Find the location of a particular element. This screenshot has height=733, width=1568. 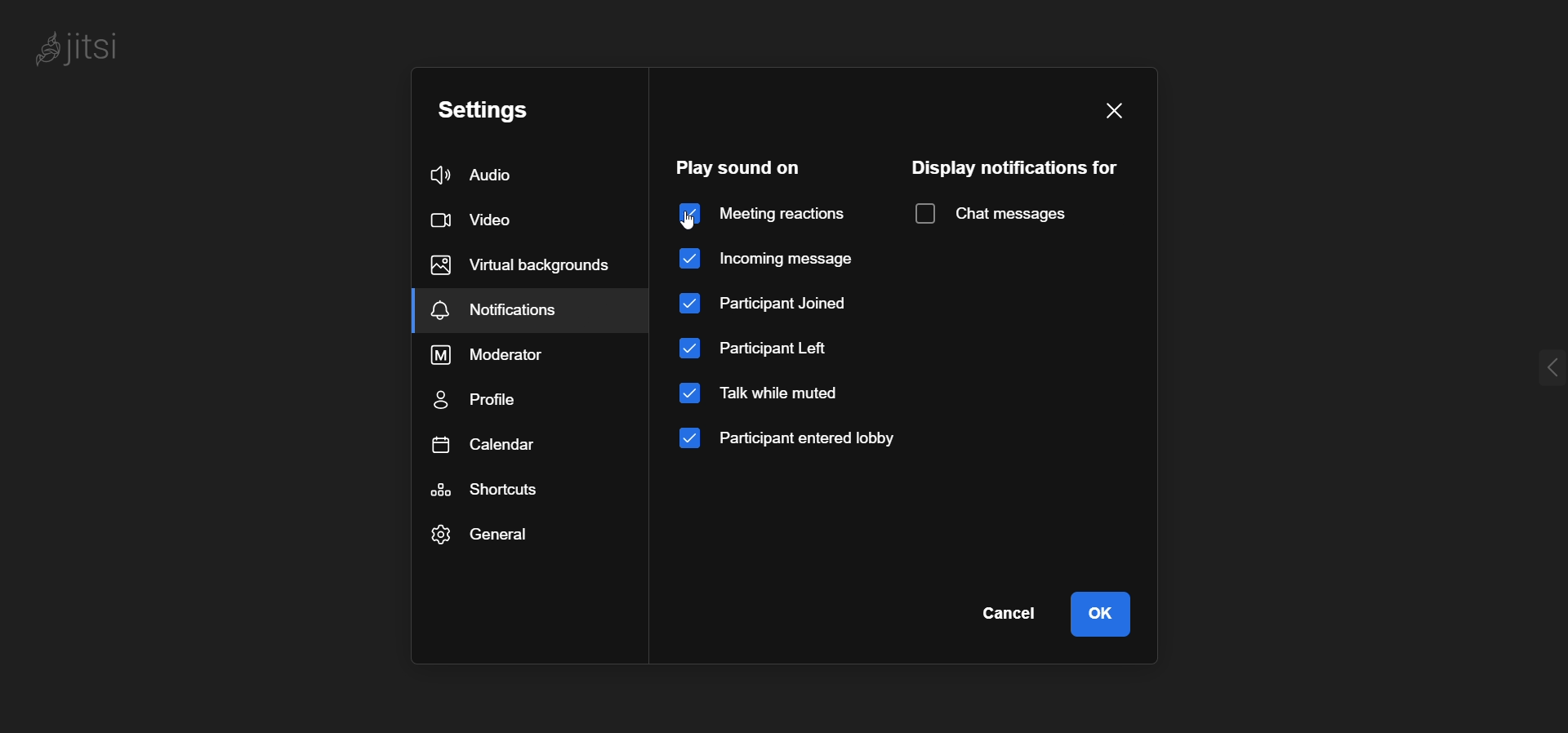

enabled meeting reaction is located at coordinates (764, 212).